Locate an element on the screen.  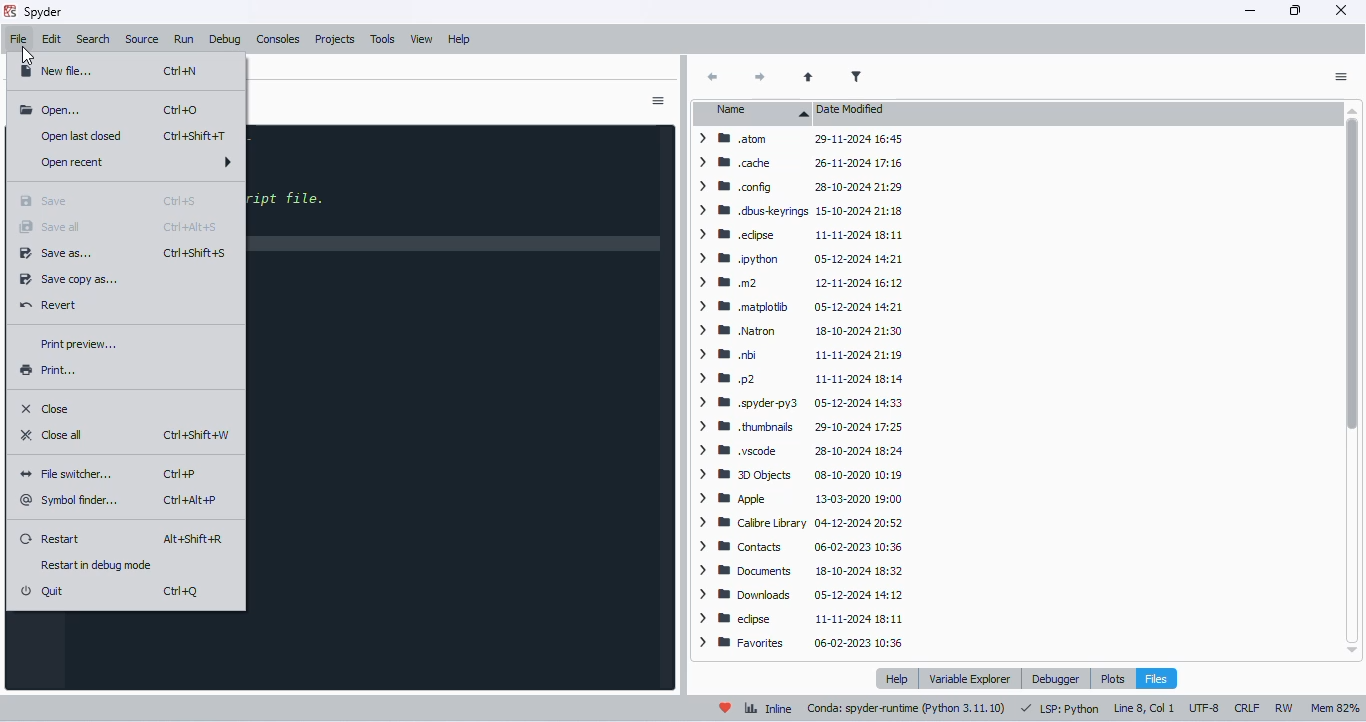
shortcut for open is located at coordinates (181, 110).